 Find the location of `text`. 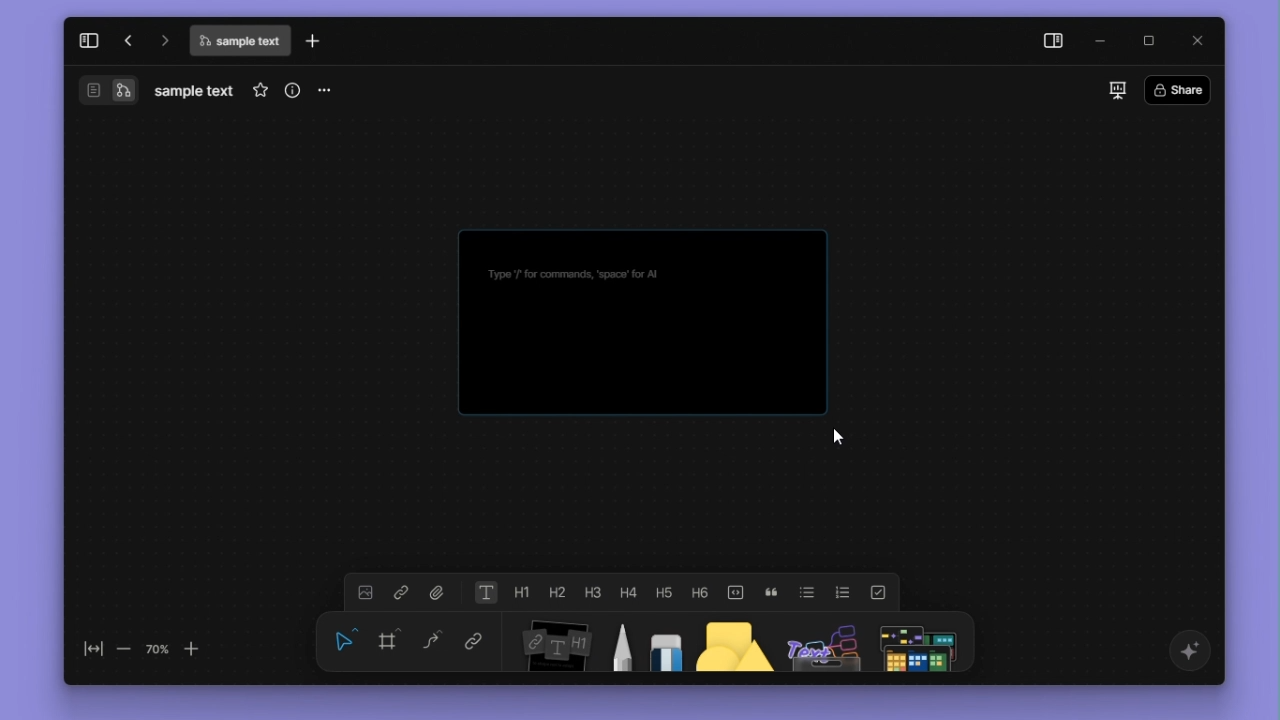

text is located at coordinates (485, 593).